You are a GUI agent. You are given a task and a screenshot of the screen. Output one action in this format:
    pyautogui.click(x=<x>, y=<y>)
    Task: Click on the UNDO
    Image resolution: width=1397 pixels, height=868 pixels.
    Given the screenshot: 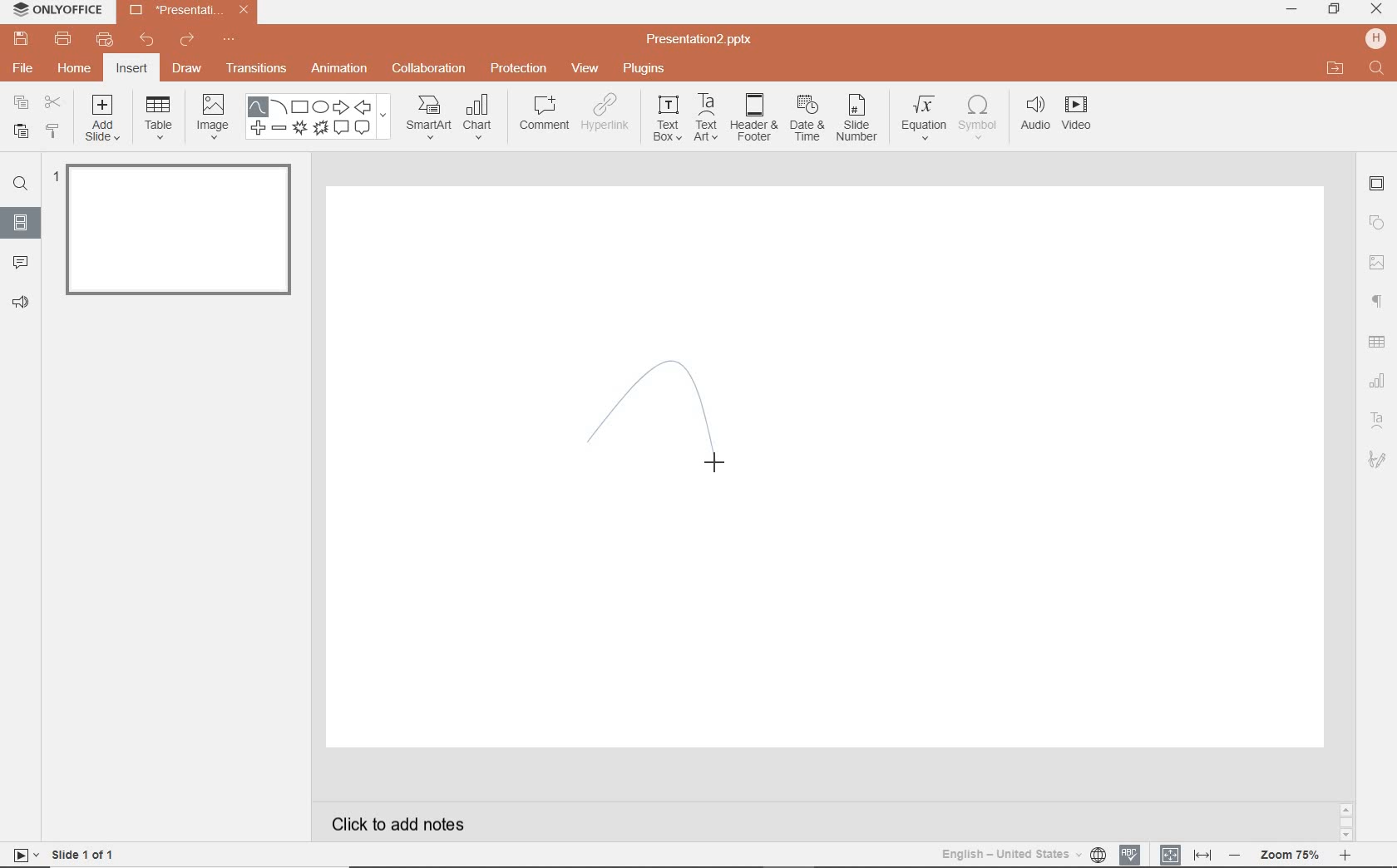 What is the action you would take?
    pyautogui.click(x=146, y=42)
    